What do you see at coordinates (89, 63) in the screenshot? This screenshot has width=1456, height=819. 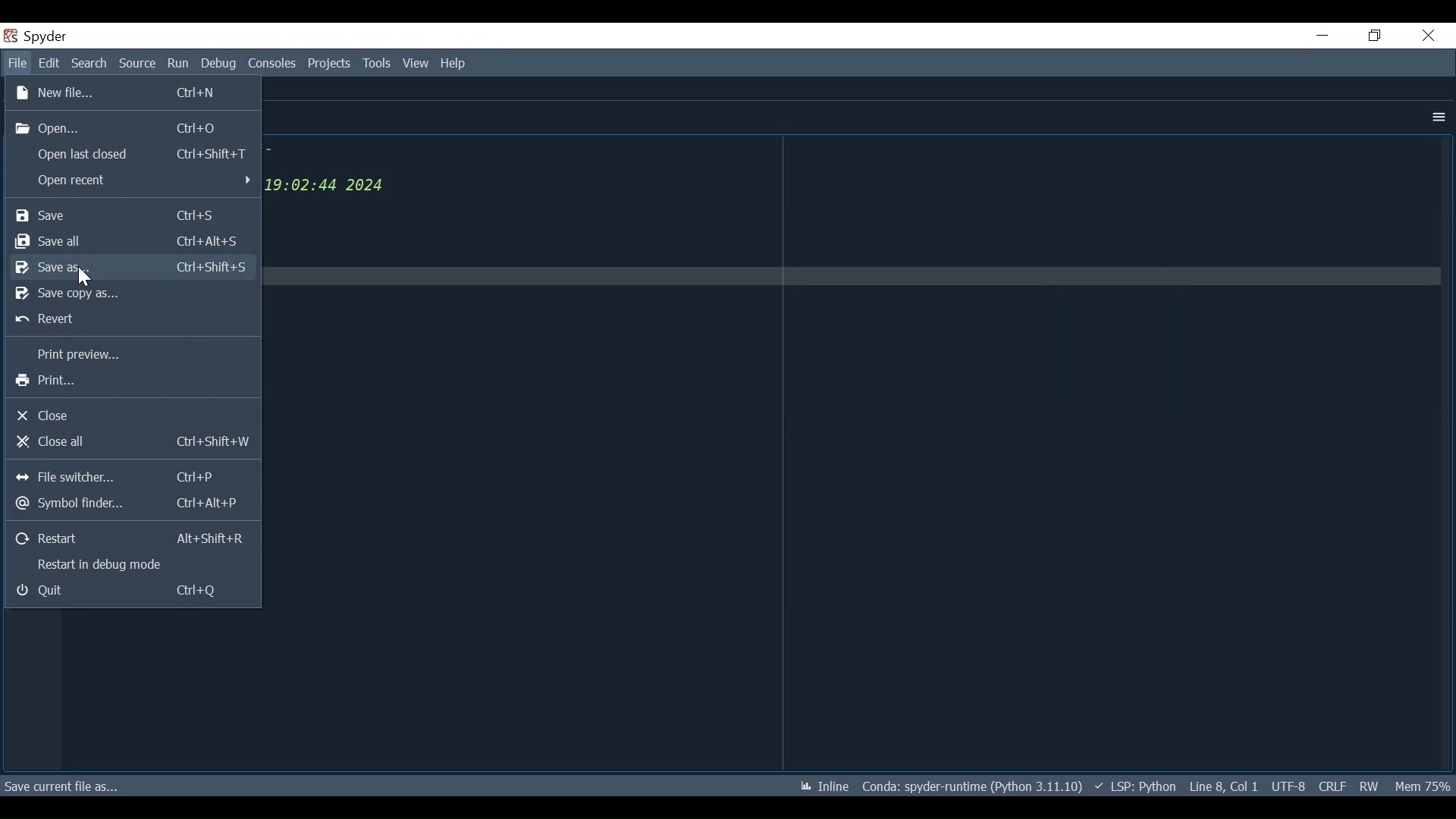 I see `Search` at bounding box center [89, 63].